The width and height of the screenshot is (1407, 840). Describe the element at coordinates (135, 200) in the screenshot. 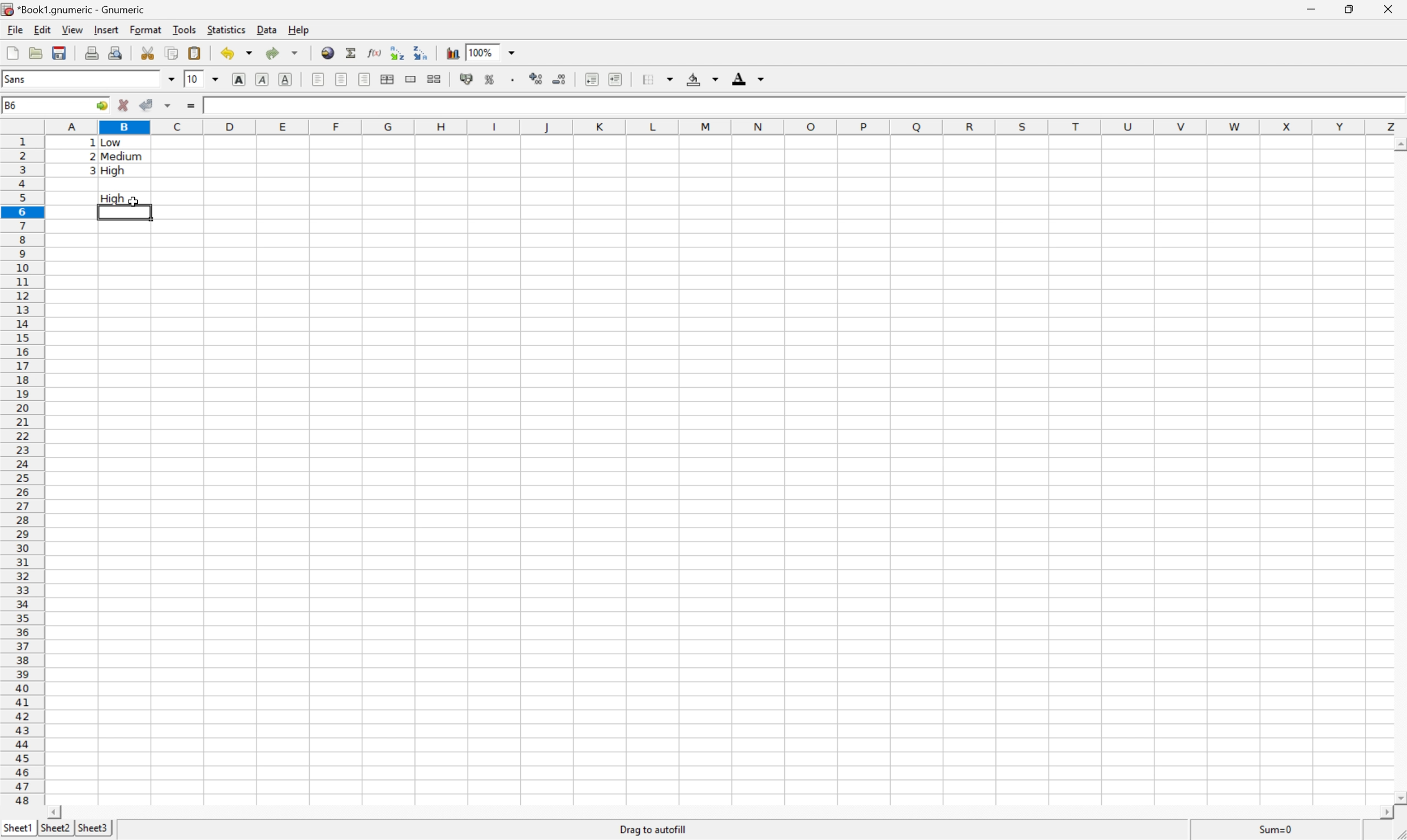

I see `Cursor` at that location.